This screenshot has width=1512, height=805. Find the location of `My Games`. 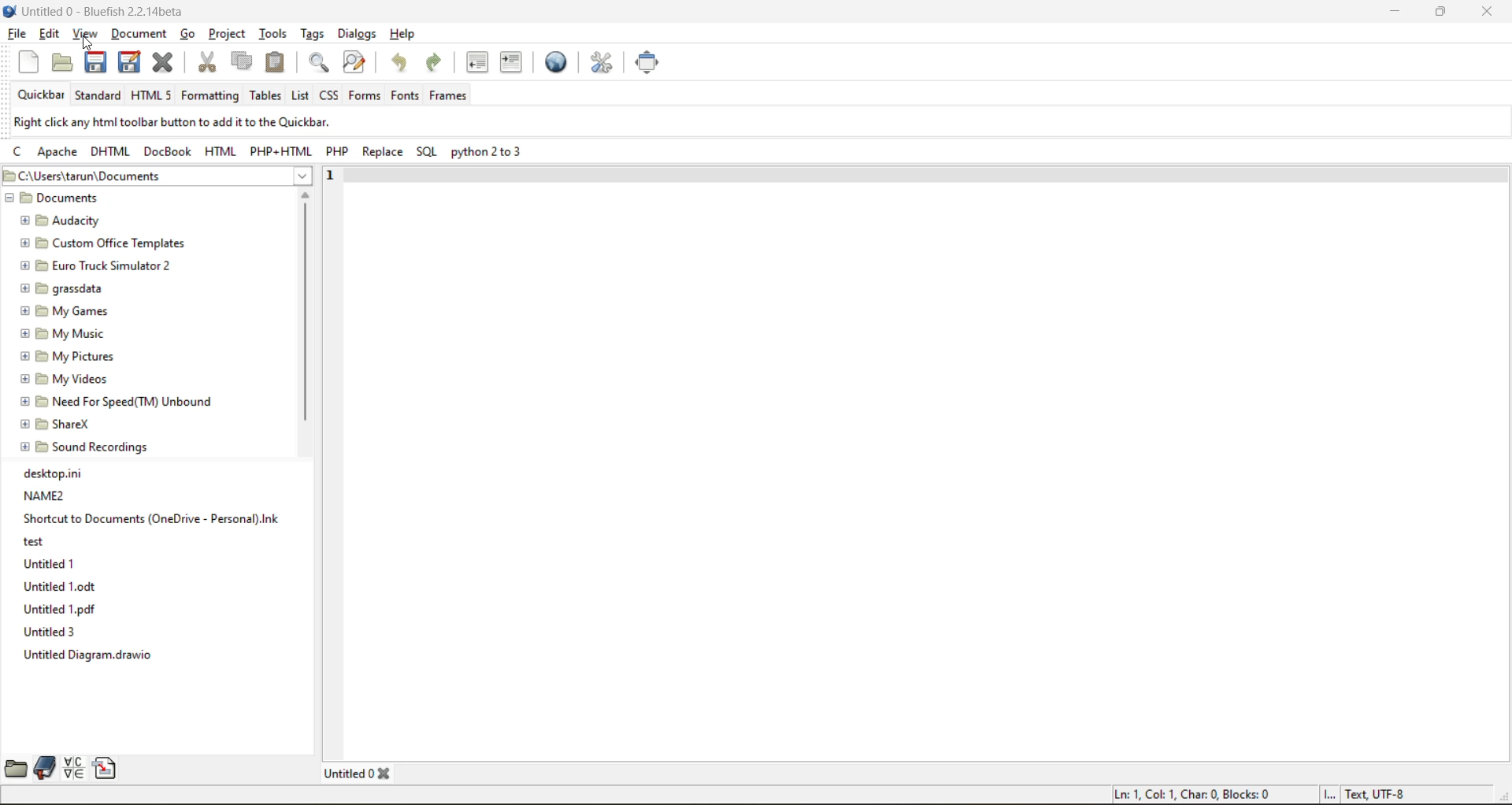

My Games is located at coordinates (62, 309).